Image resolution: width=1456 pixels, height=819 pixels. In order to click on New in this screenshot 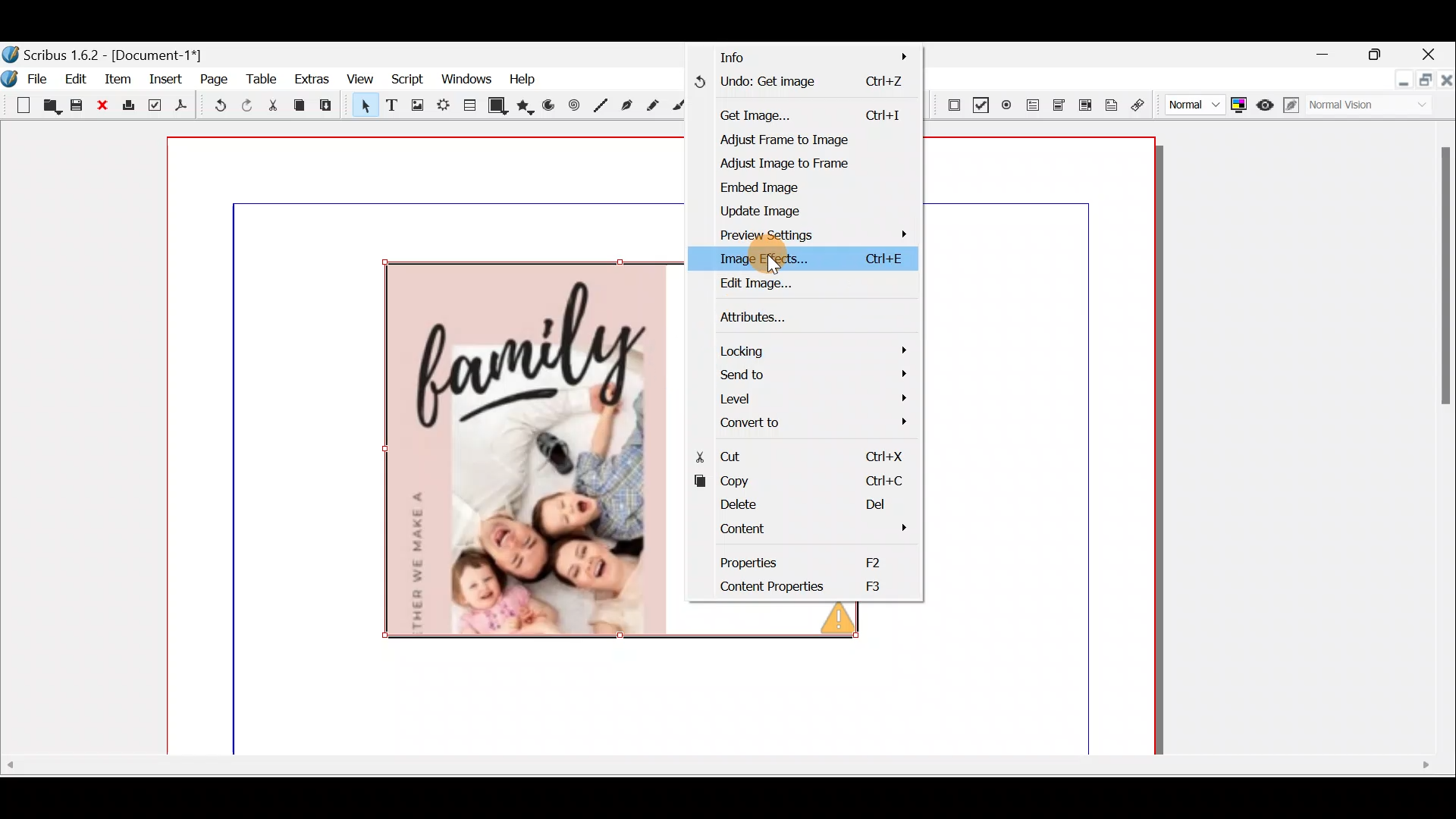, I will do `click(18, 104)`.